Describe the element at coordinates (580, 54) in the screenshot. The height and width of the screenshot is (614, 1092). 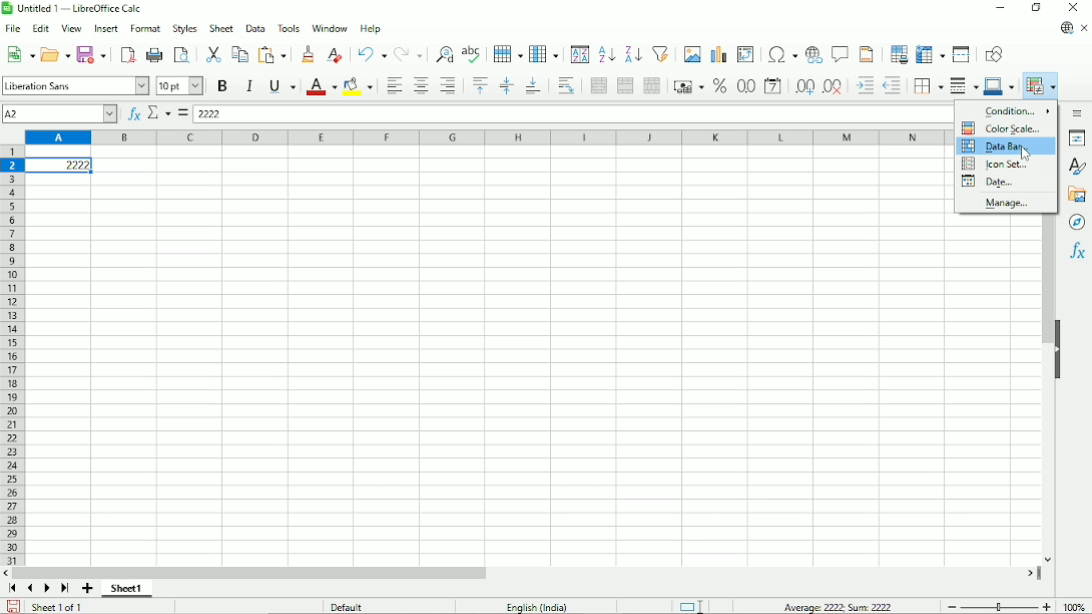
I see `Sort` at that location.